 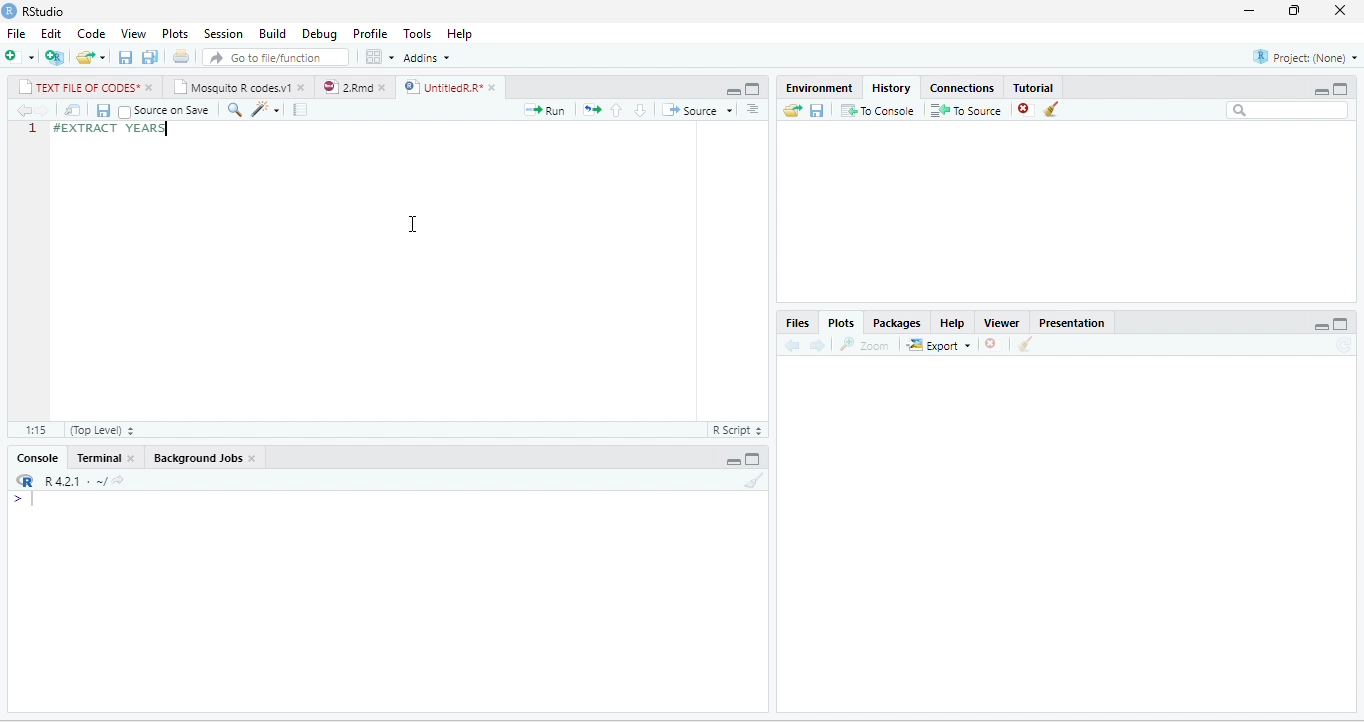 What do you see at coordinates (92, 57) in the screenshot?
I see `open file` at bounding box center [92, 57].